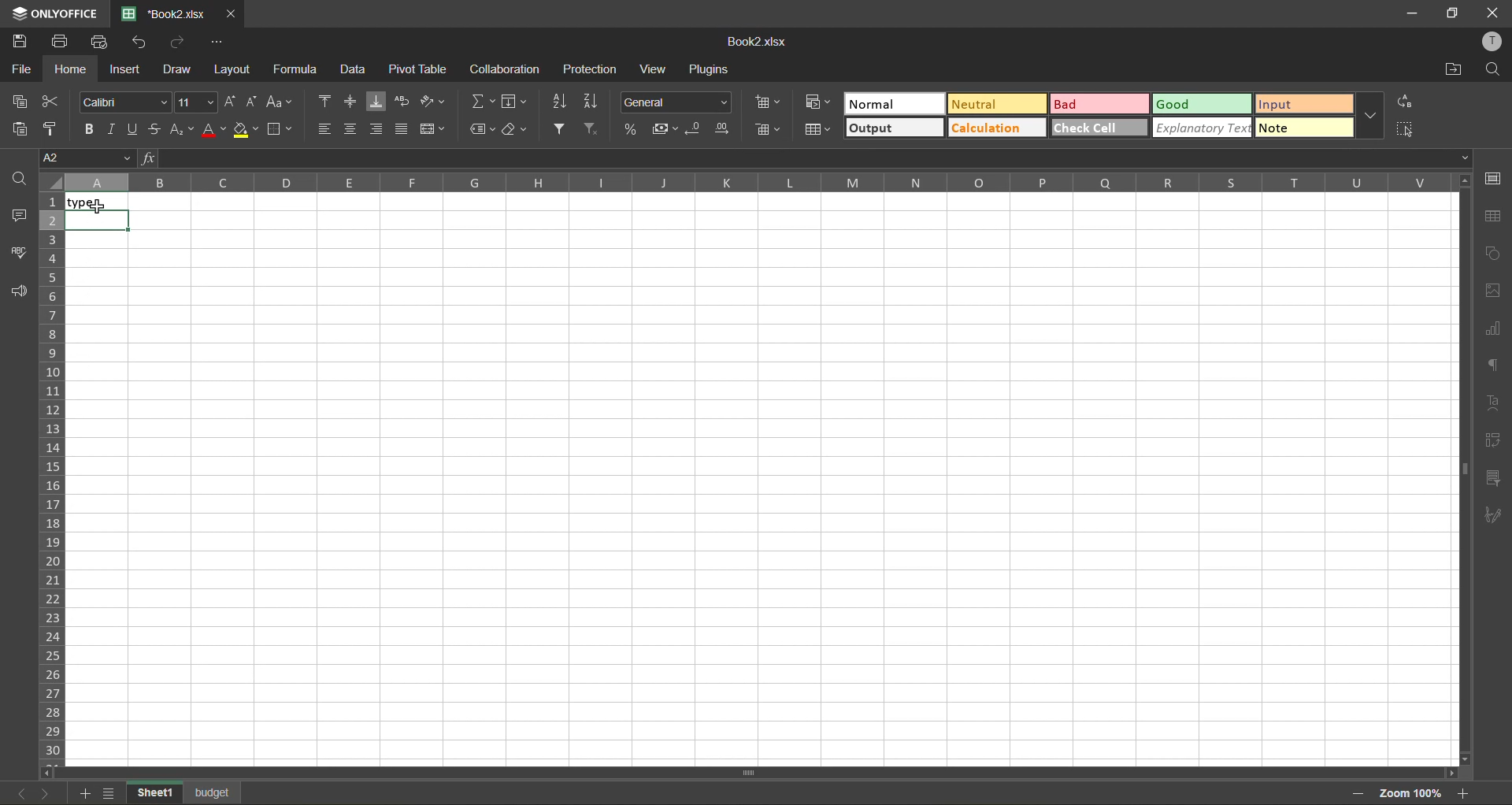  I want to click on view, so click(660, 69).